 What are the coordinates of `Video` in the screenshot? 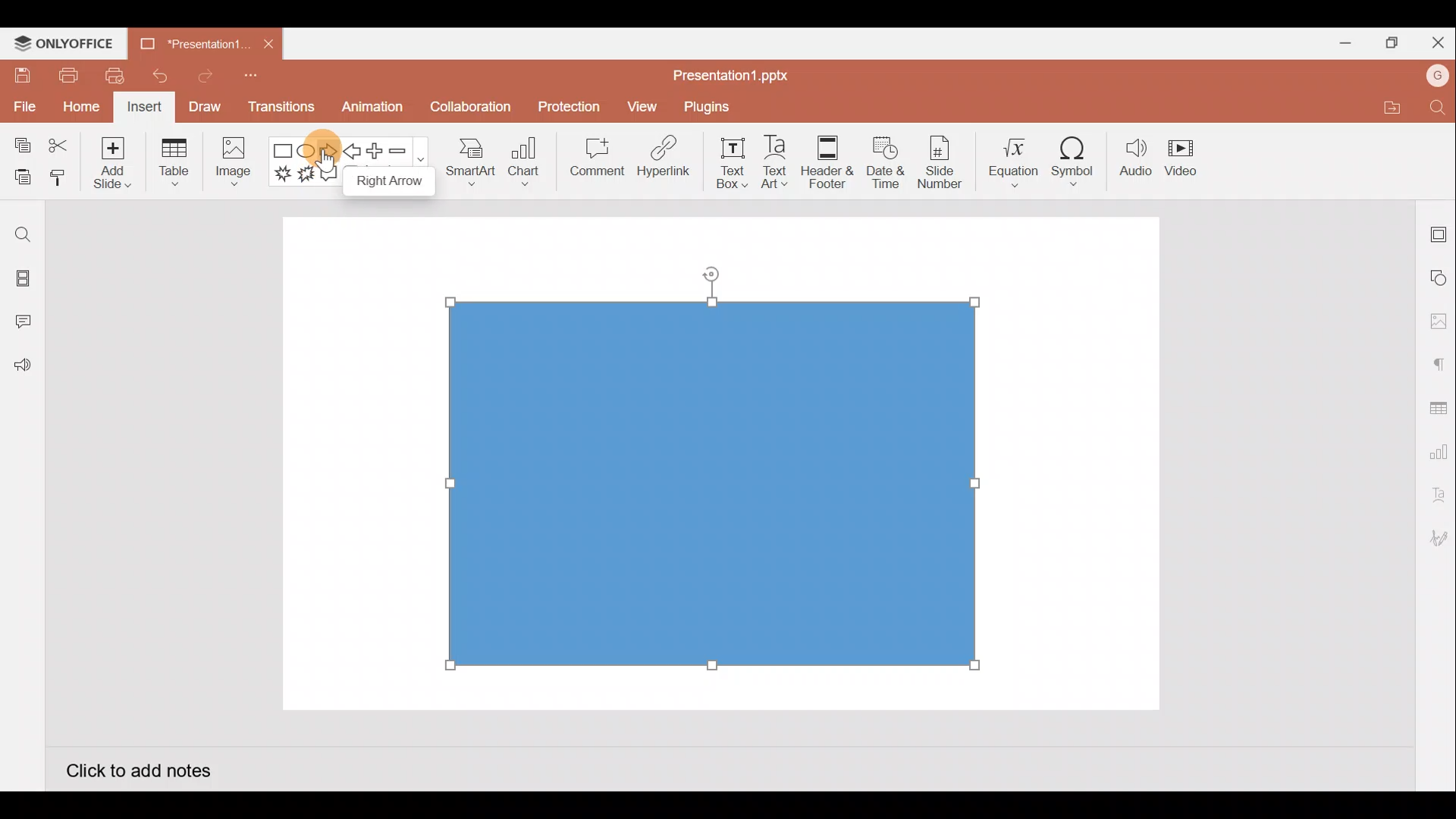 It's located at (1183, 155).